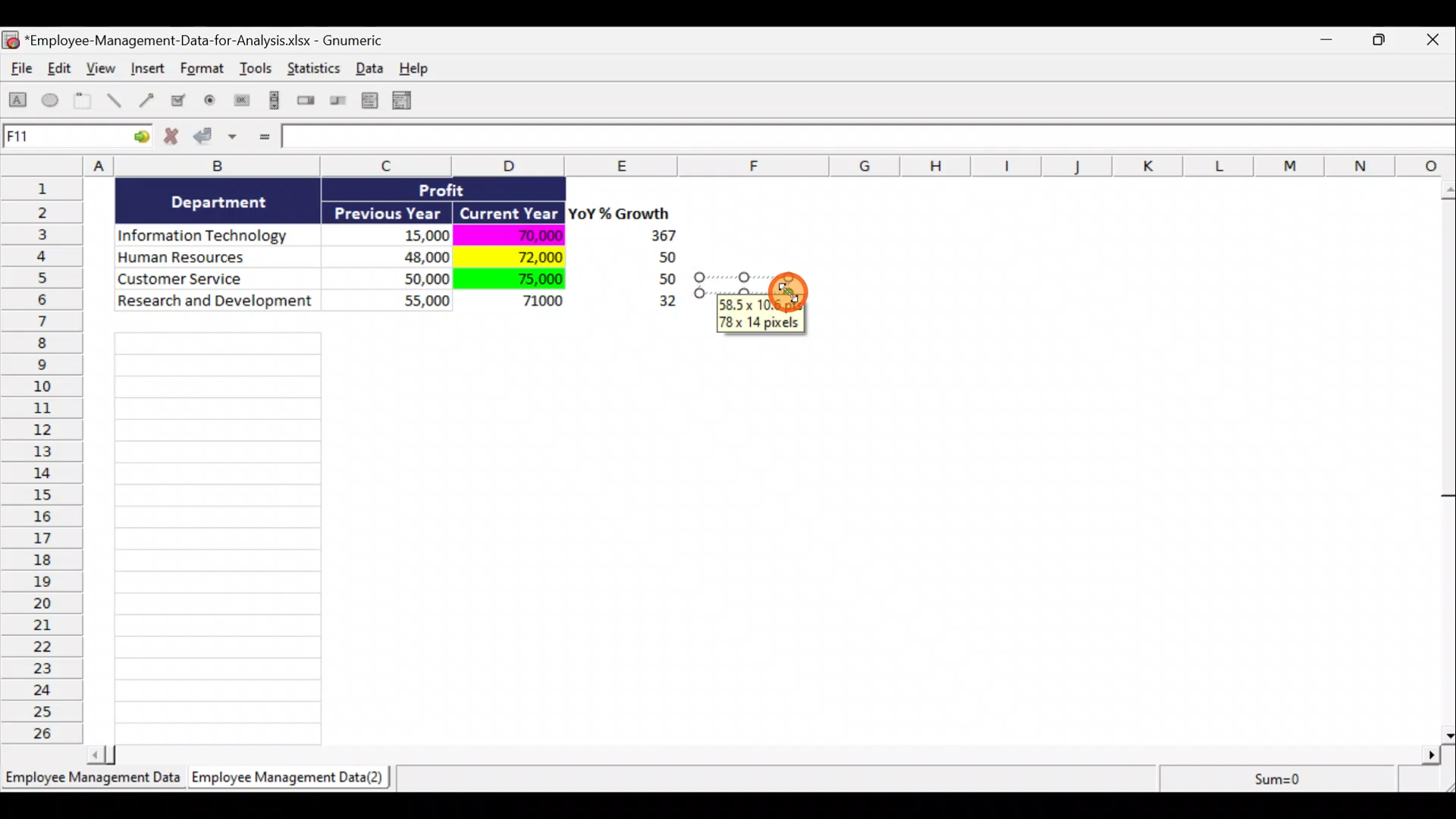 This screenshot has width=1456, height=819. I want to click on File, so click(18, 71).